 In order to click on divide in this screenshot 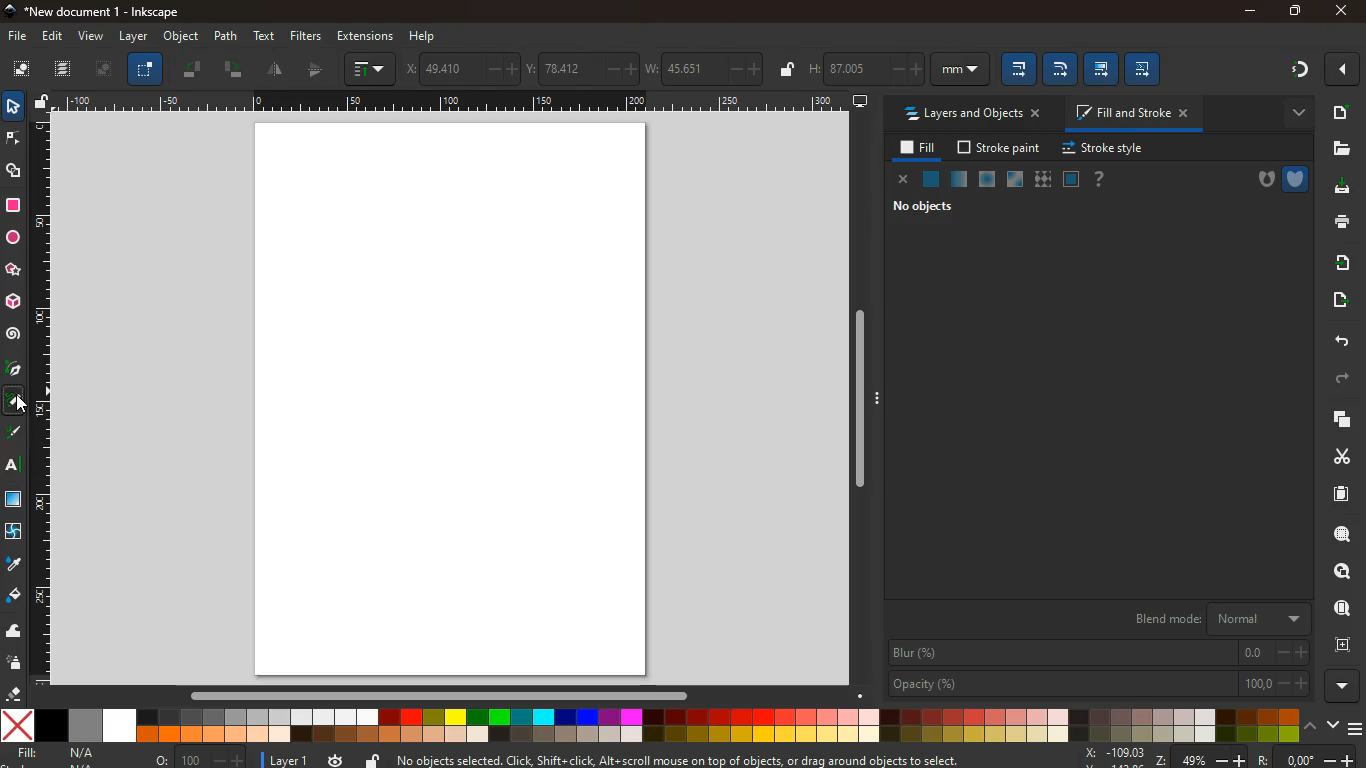, I will do `click(316, 71)`.